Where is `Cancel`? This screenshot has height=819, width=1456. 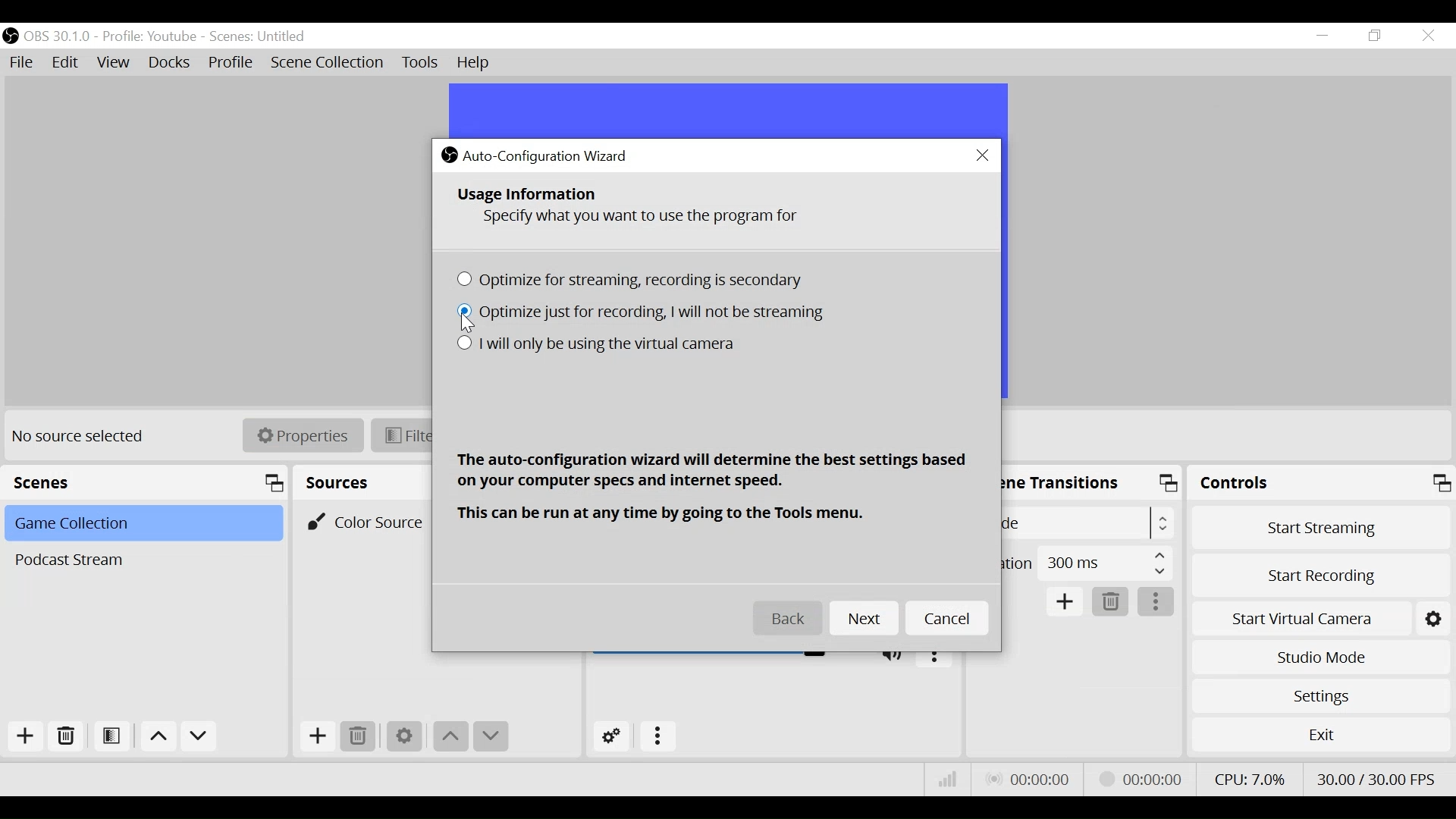 Cancel is located at coordinates (949, 620).